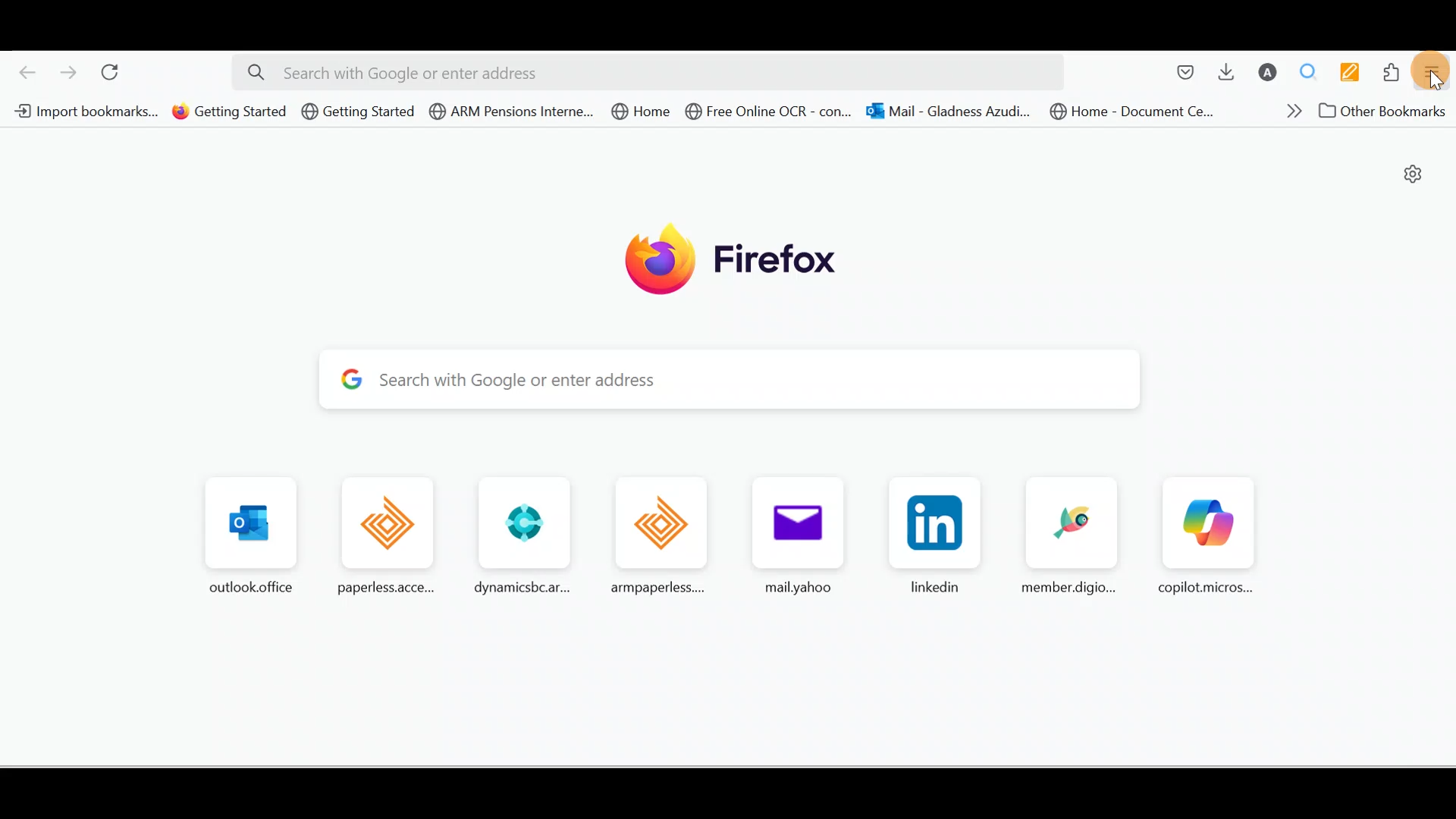 Image resolution: width=1456 pixels, height=819 pixels. Describe the element at coordinates (1288, 110) in the screenshot. I see `Show more bookmarks` at that location.